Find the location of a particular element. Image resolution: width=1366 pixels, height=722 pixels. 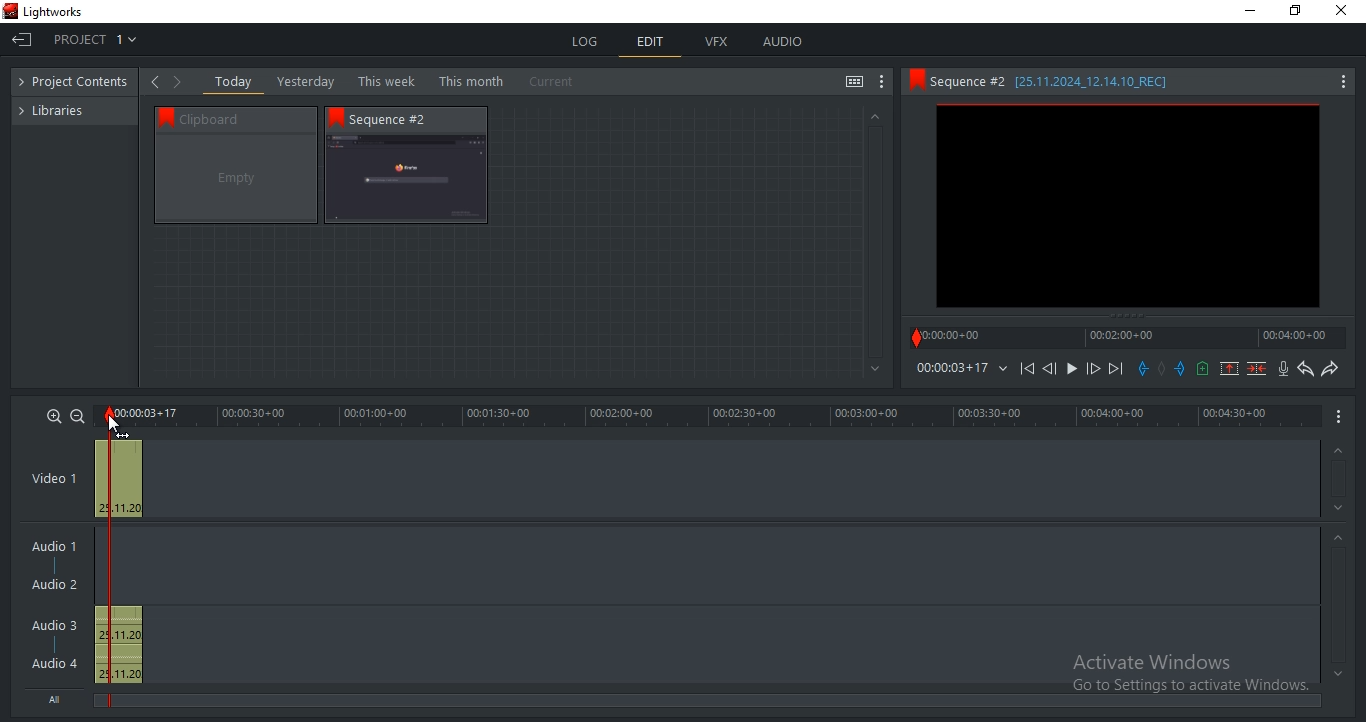

Activate Windows
Go to Settings to activate Windows. is located at coordinates (1190, 675).